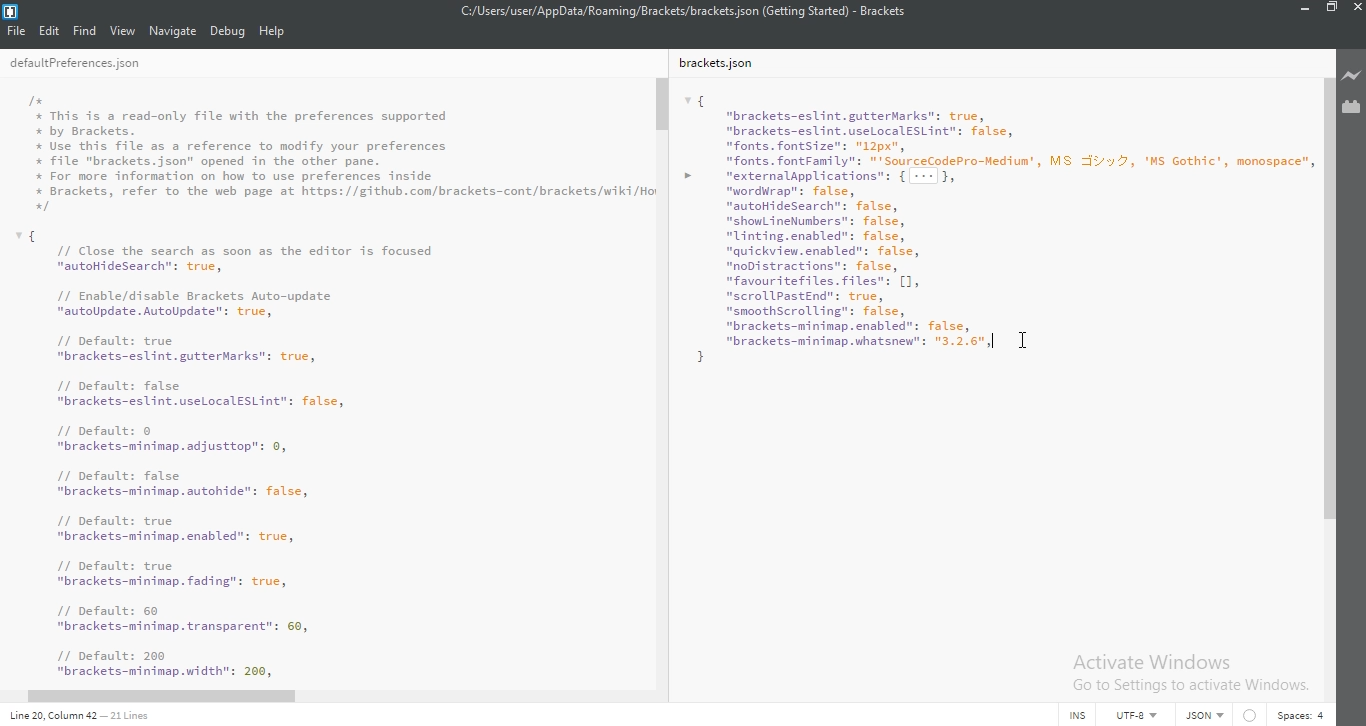 The image size is (1366, 726). Describe the element at coordinates (1298, 713) in the screenshot. I see `space: 4` at that location.